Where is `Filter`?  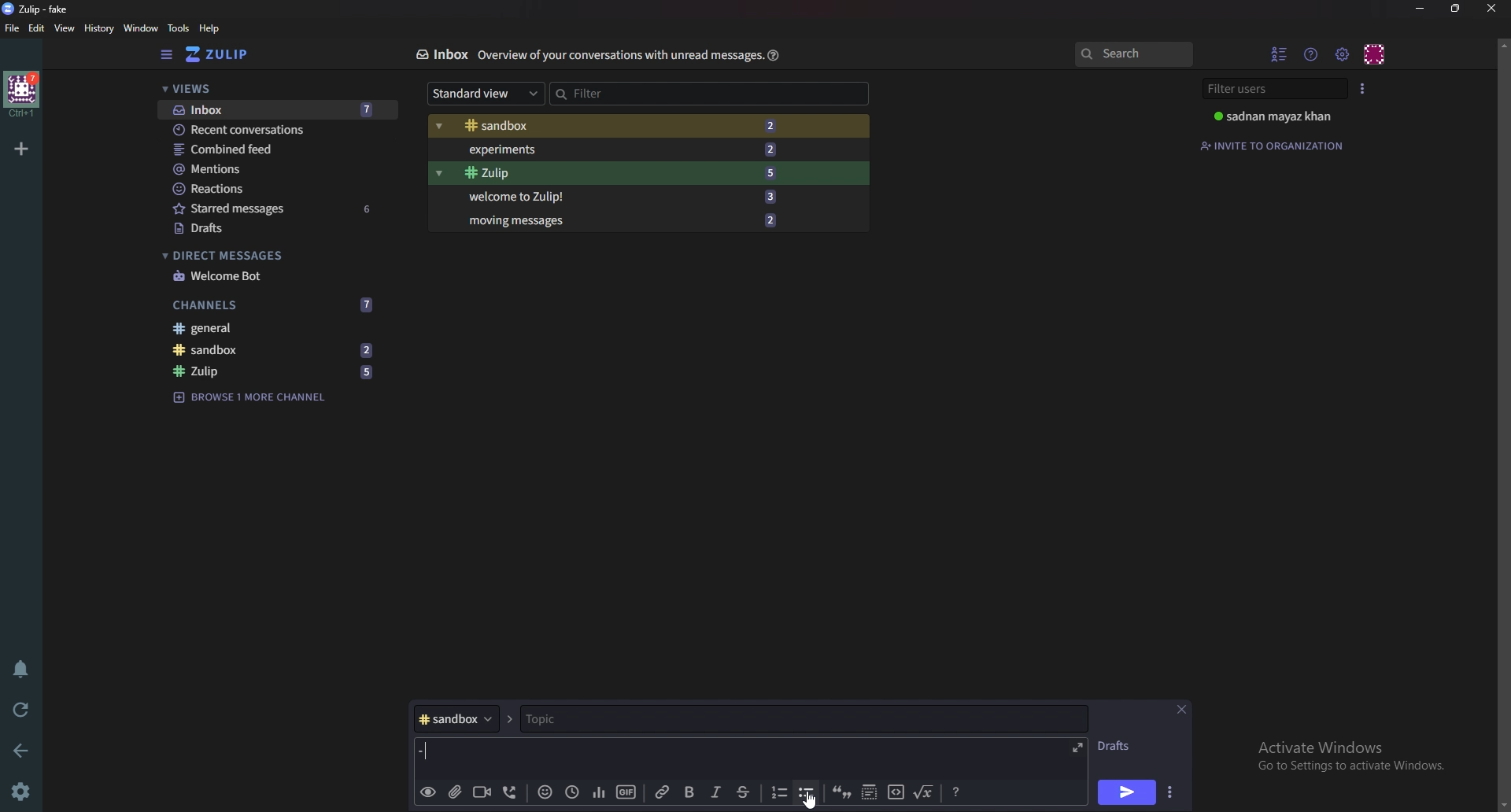
Filter is located at coordinates (617, 93).